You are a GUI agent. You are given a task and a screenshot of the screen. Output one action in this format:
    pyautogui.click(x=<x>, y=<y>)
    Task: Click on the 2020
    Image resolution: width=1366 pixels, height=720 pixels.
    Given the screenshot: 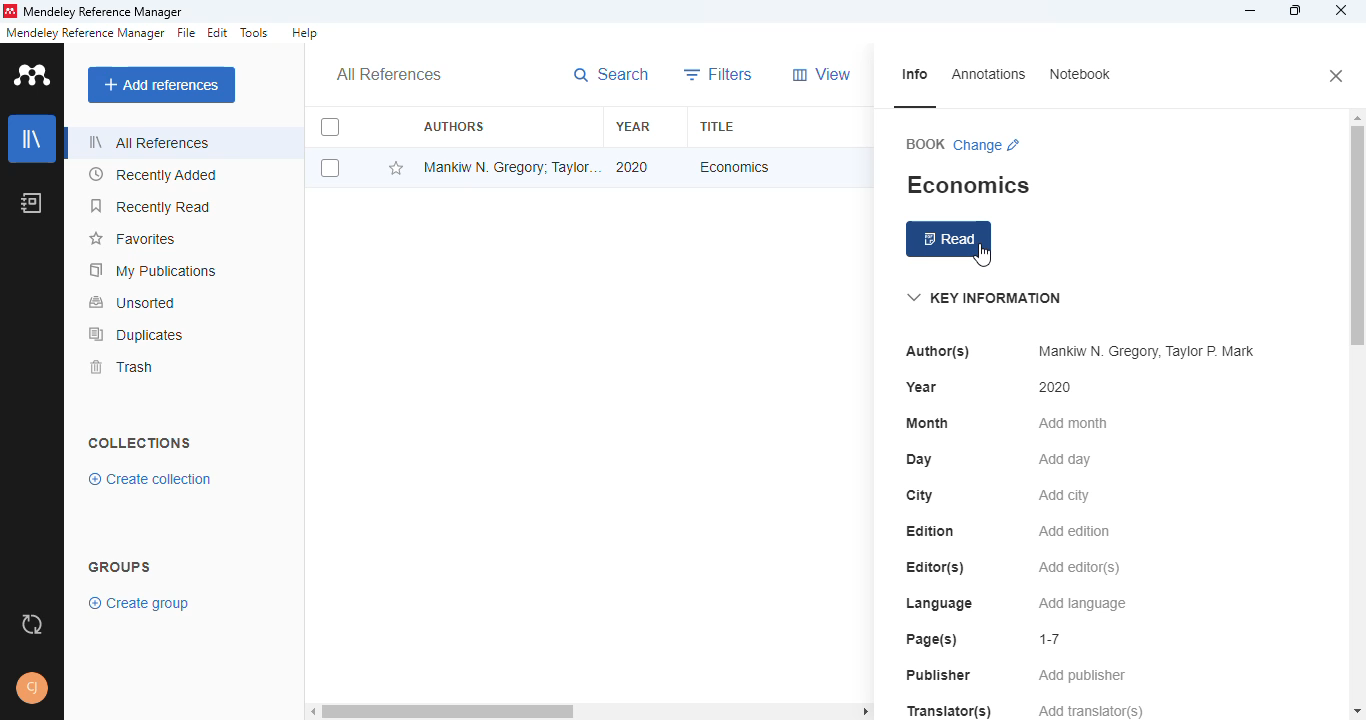 What is the action you would take?
    pyautogui.click(x=1054, y=386)
    